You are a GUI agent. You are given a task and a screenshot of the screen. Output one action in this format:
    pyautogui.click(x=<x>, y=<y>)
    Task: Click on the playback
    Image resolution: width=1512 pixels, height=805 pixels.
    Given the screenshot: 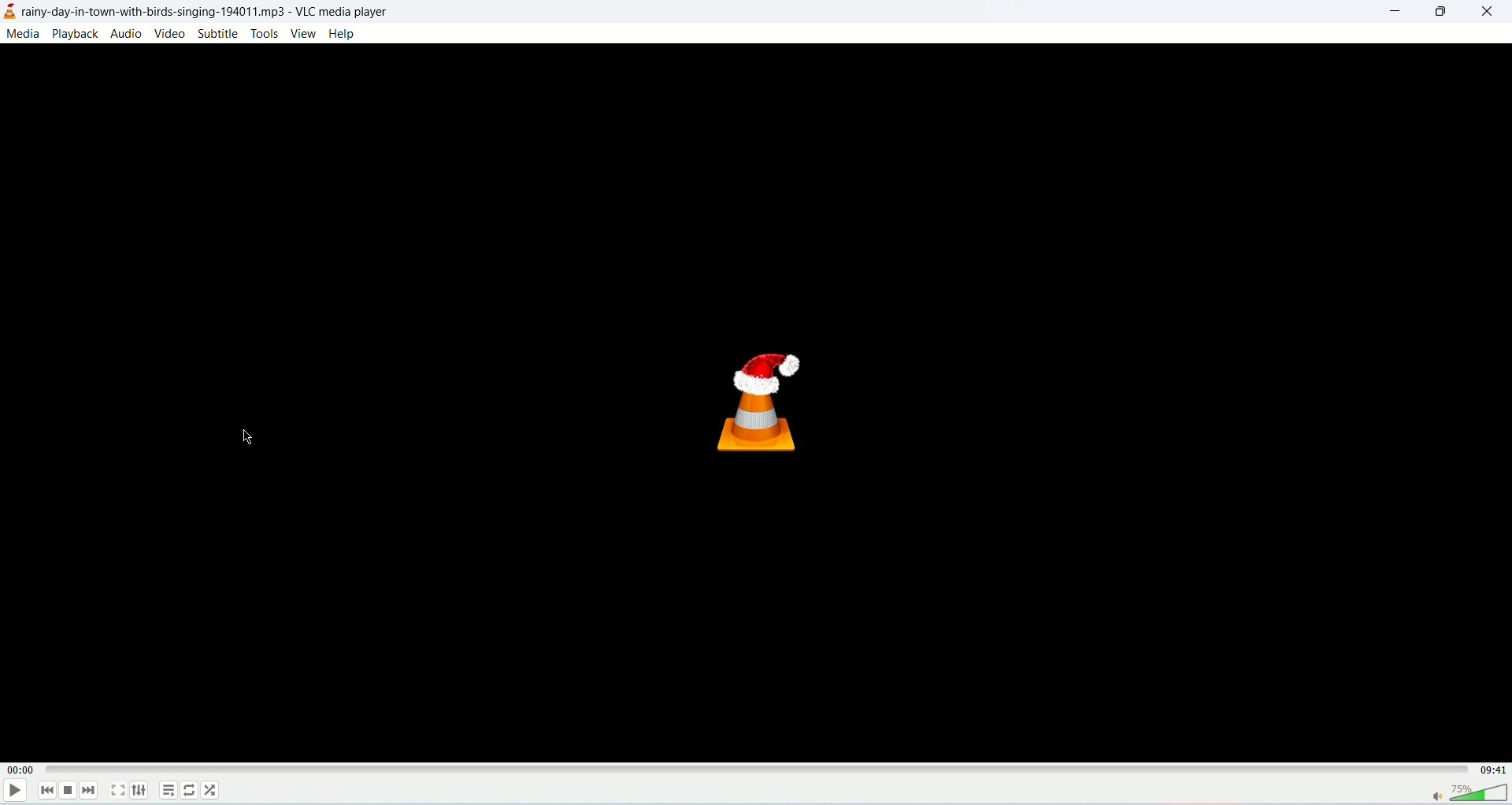 What is the action you would take?
    pyautogui.click(x=75, y=34)
    